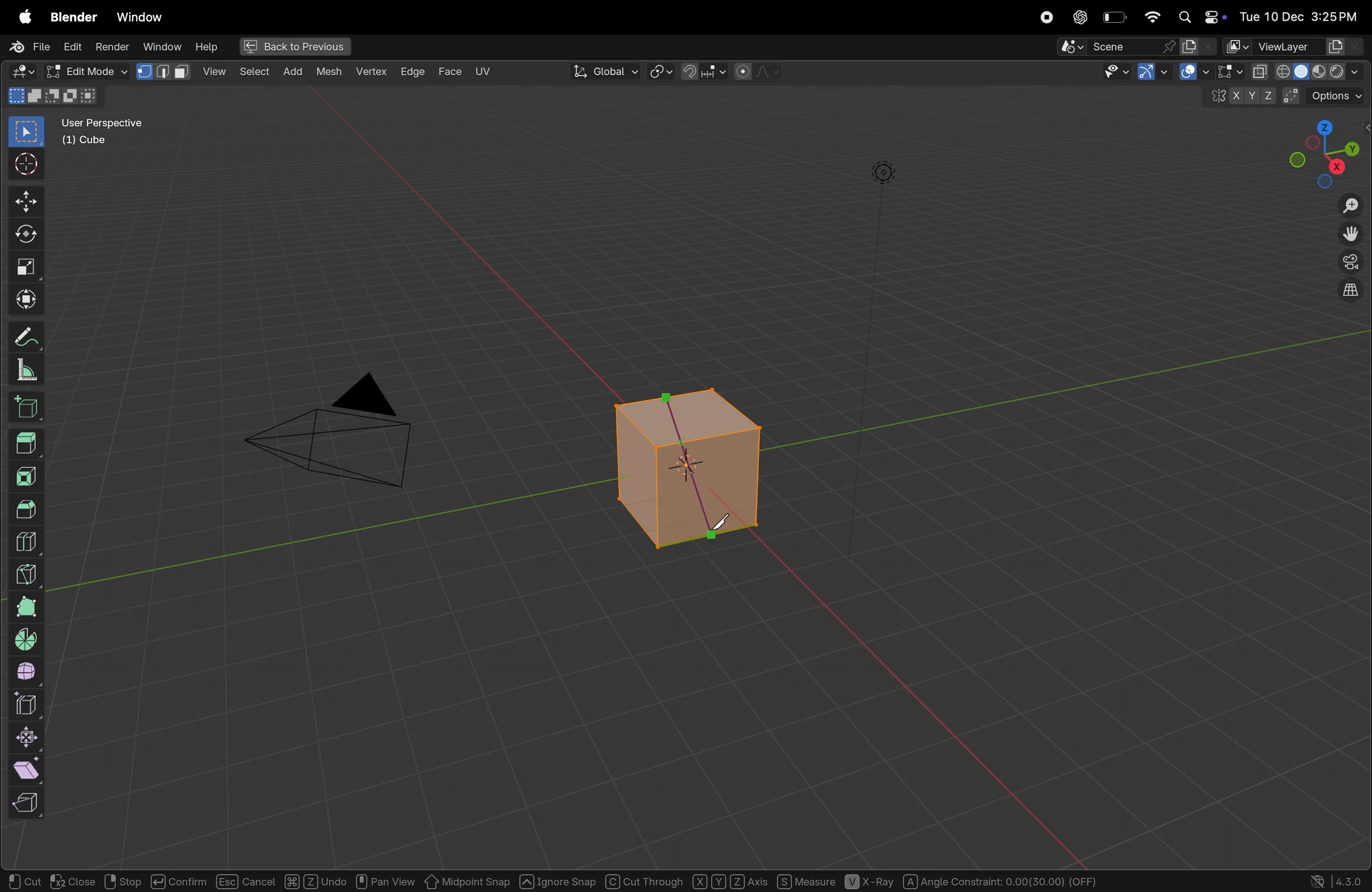 Image resolution: width=1372 pixels, height=892 pixels. Describe the element at coordinates (717, 531) in the screenshot. I see `knife` at that location.